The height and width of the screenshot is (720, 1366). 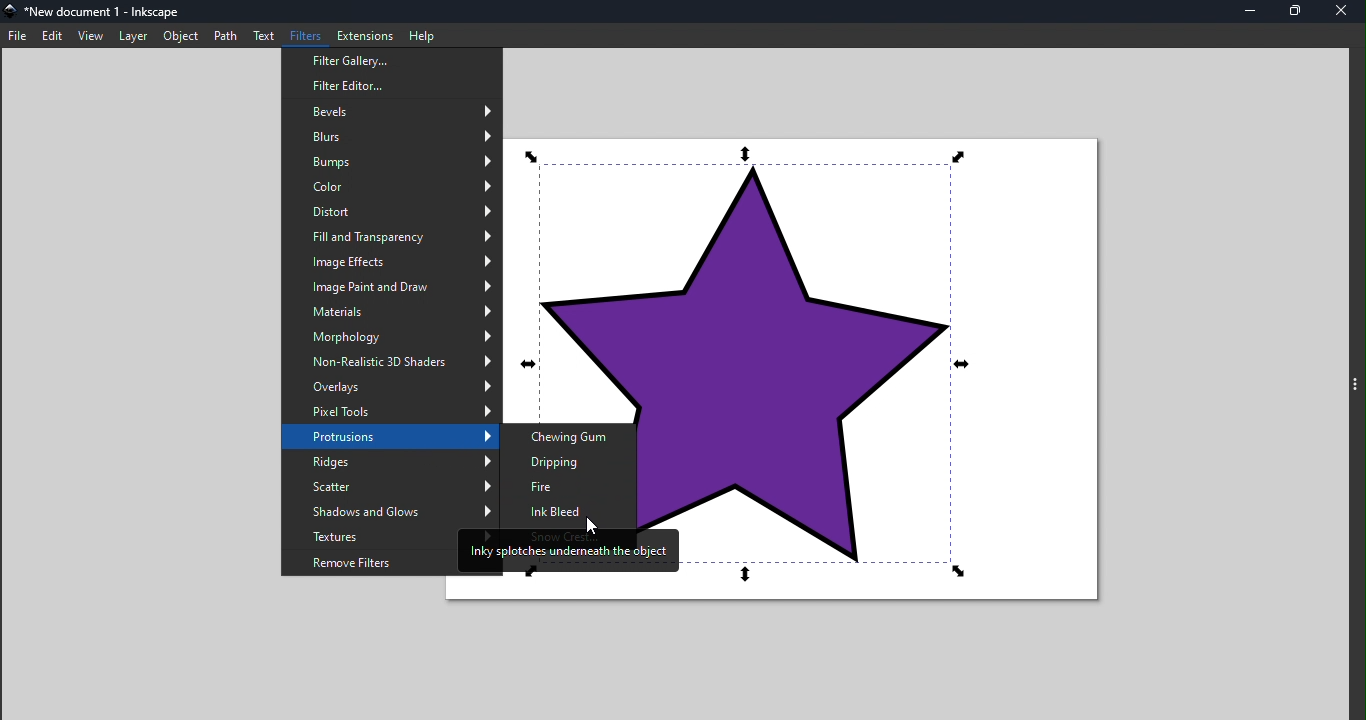 What do you see at coordinates (97, 12) in the screenshot?
I see `File name` at bounding box center [97, 12].